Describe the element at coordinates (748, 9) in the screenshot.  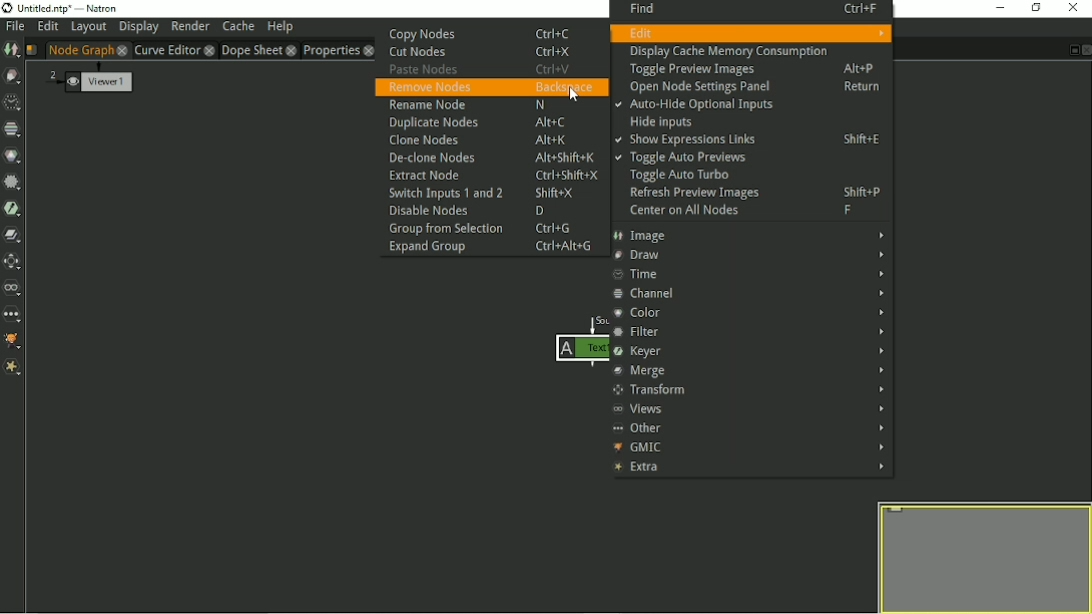
I see `Find` at that location.